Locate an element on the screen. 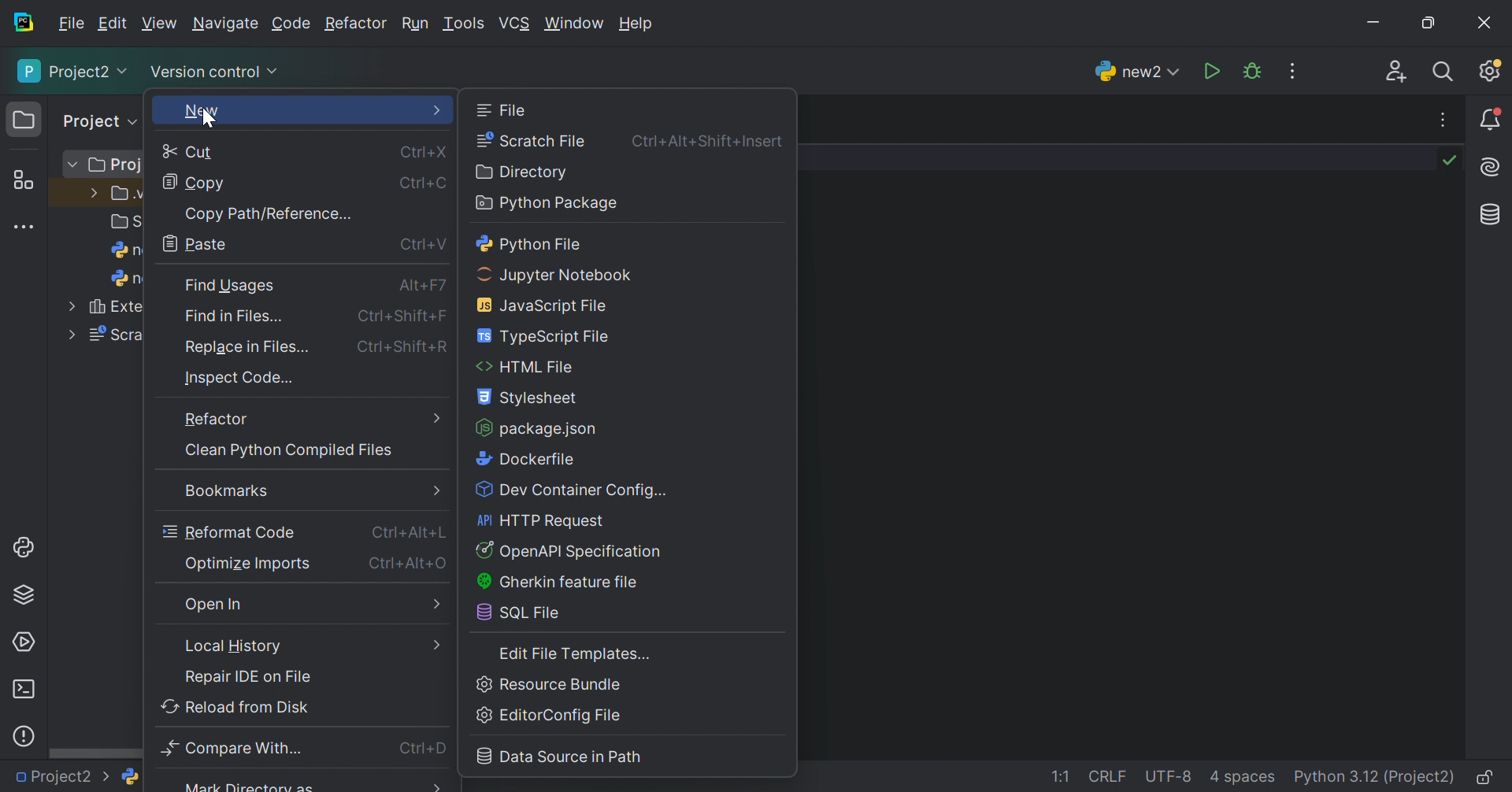 This screenshot has width=1512, height=792. Run is located at coordinates (1213, 72).